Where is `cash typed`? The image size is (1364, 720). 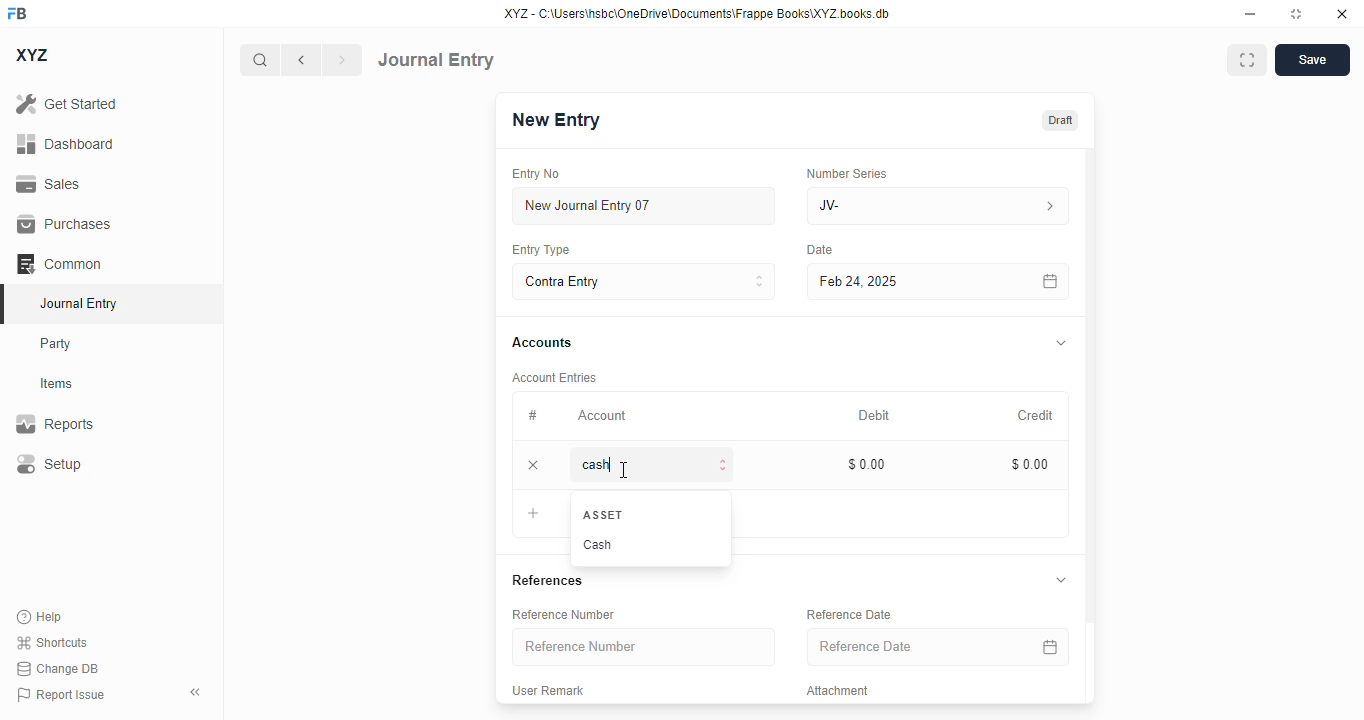 cash typed is located at coordinates (655, 464).